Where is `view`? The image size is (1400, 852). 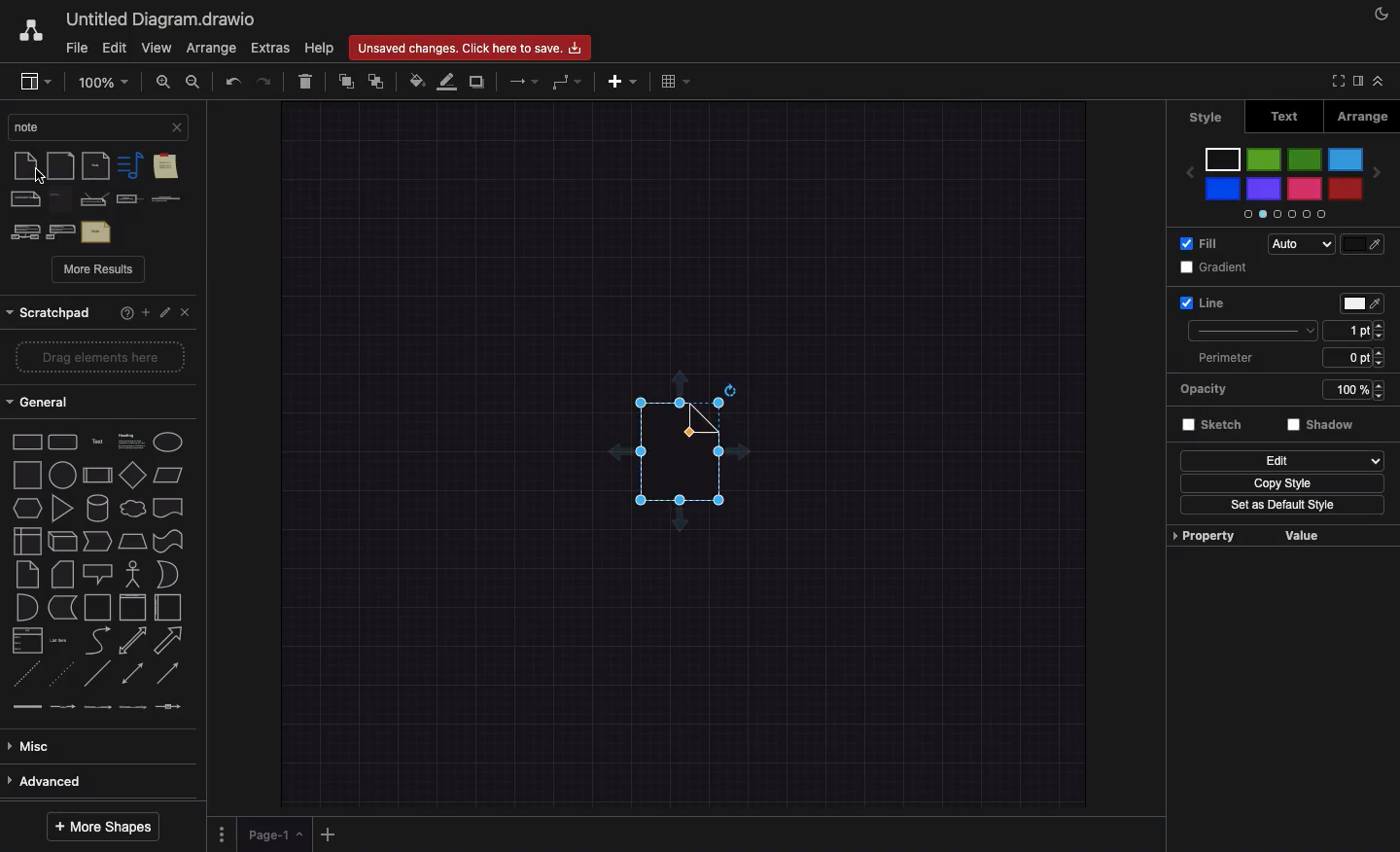 view is located at coordinates (36, 79).